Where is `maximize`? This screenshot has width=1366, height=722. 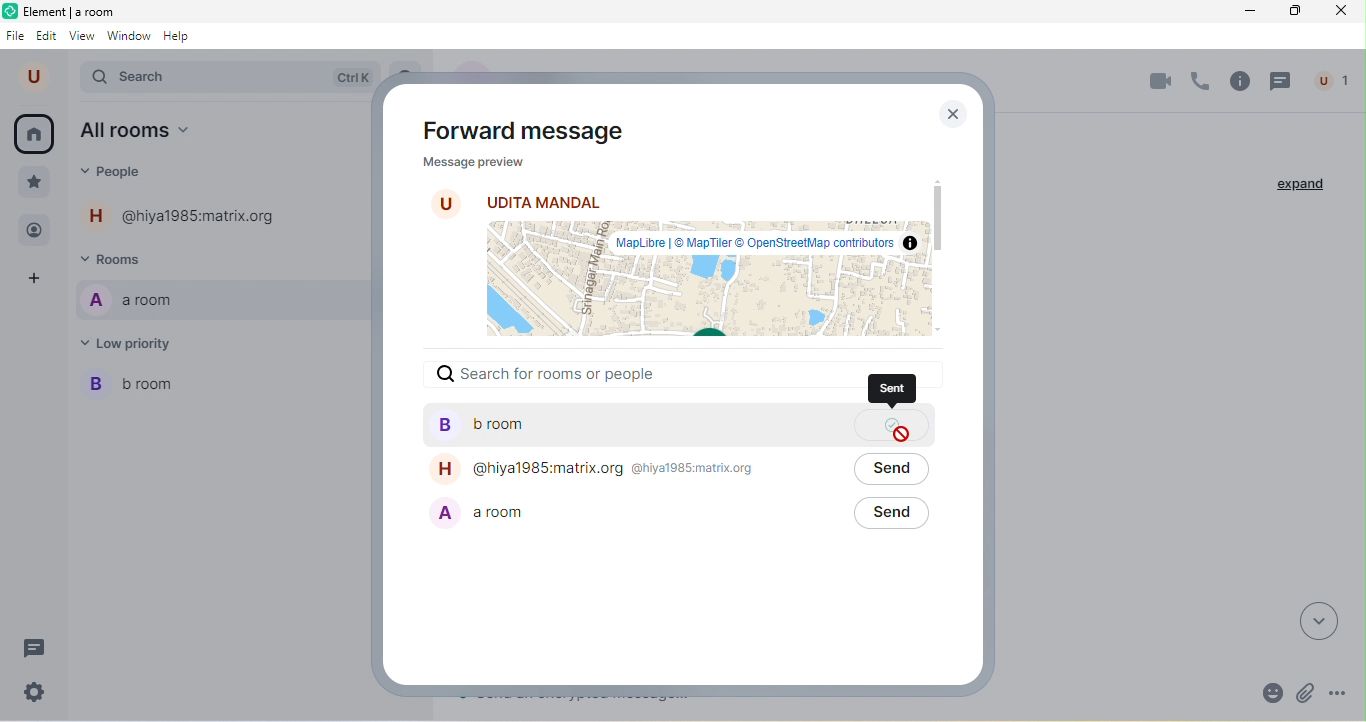
maximize is located at coordinates (1290, 11).